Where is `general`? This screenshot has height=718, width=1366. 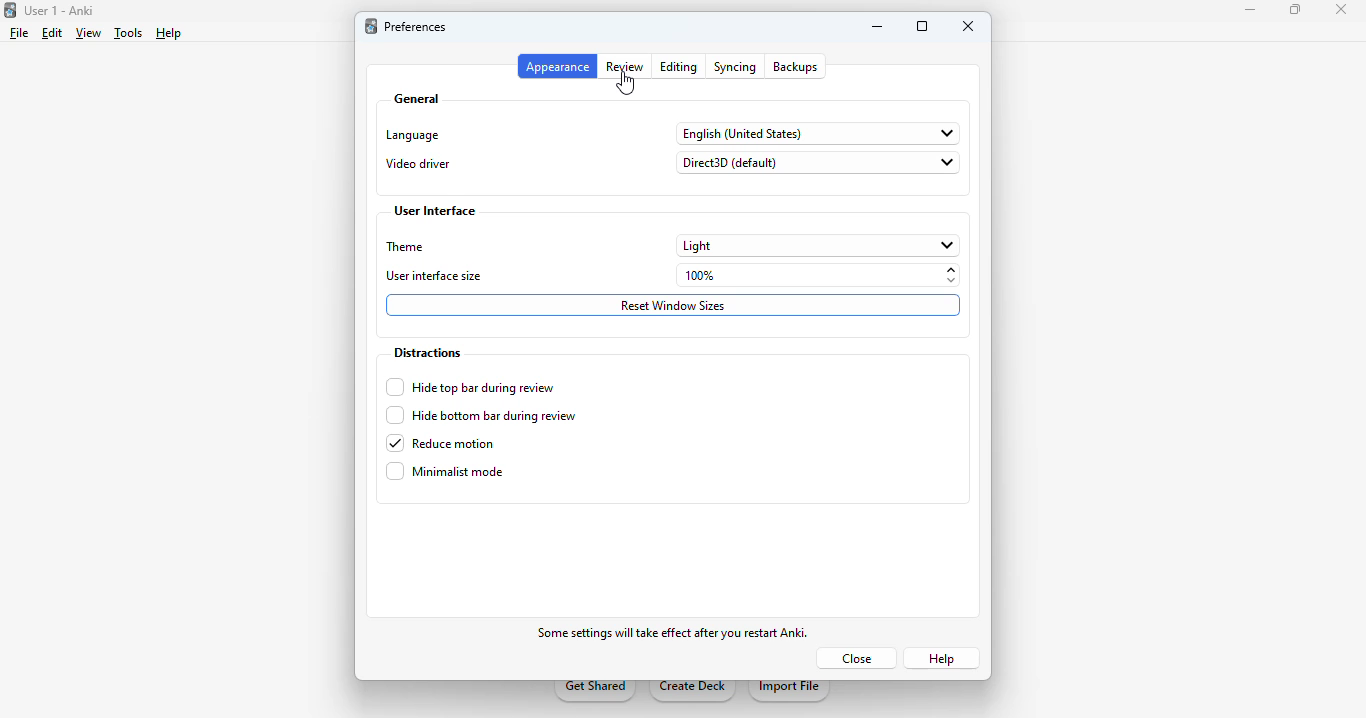 general is located at coordinates (417, 98).